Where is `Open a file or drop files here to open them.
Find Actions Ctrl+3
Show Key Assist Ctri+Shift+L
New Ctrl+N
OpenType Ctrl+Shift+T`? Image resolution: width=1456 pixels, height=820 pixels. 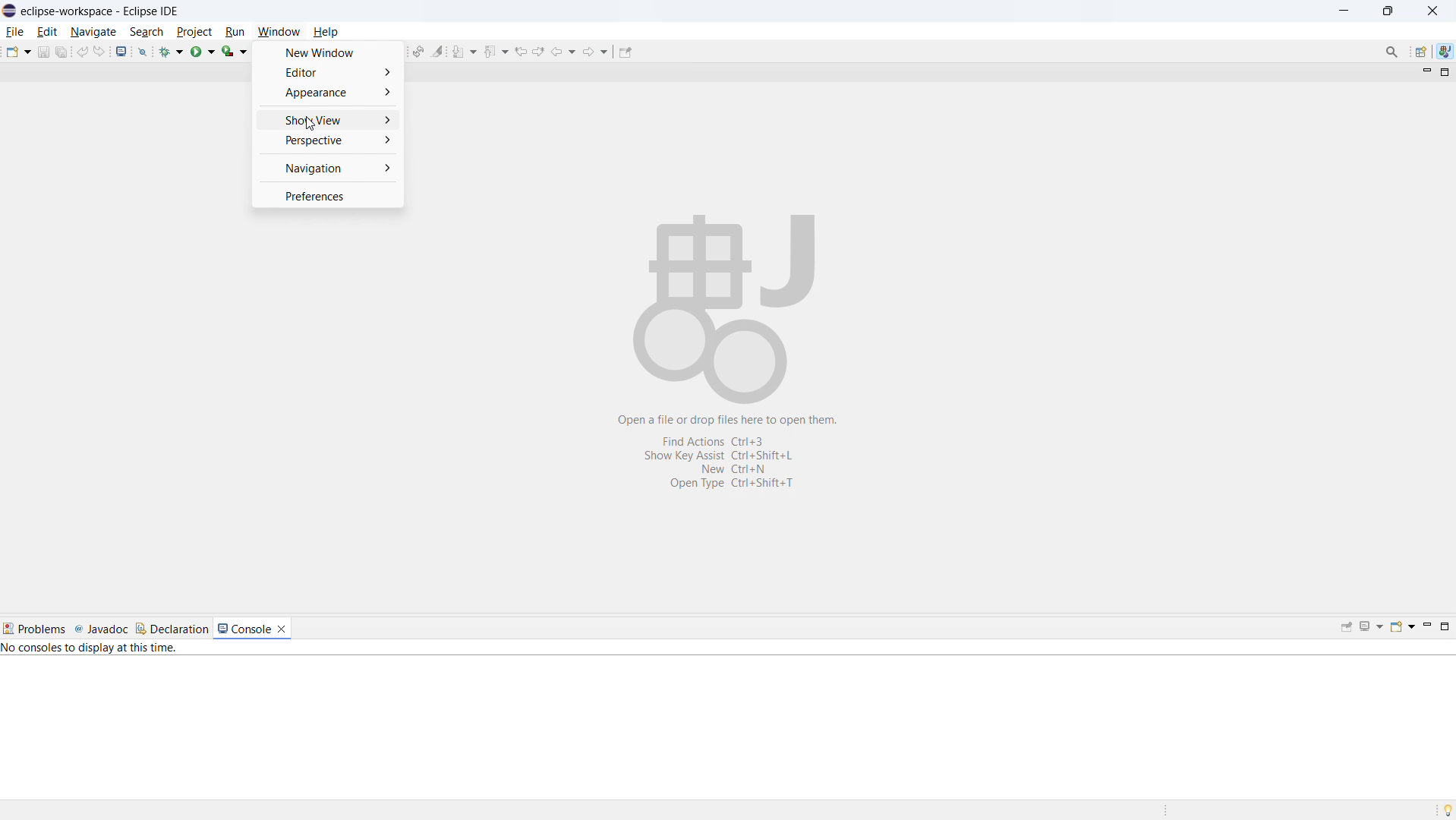
Open a file or drop files here to open them.
Find Actions Ctrl+3
Show Key Assist Ctri+Shift+L
New Ctrl+N
OpenType Ctrl+Shift+T is located at coordinates (738, 453).